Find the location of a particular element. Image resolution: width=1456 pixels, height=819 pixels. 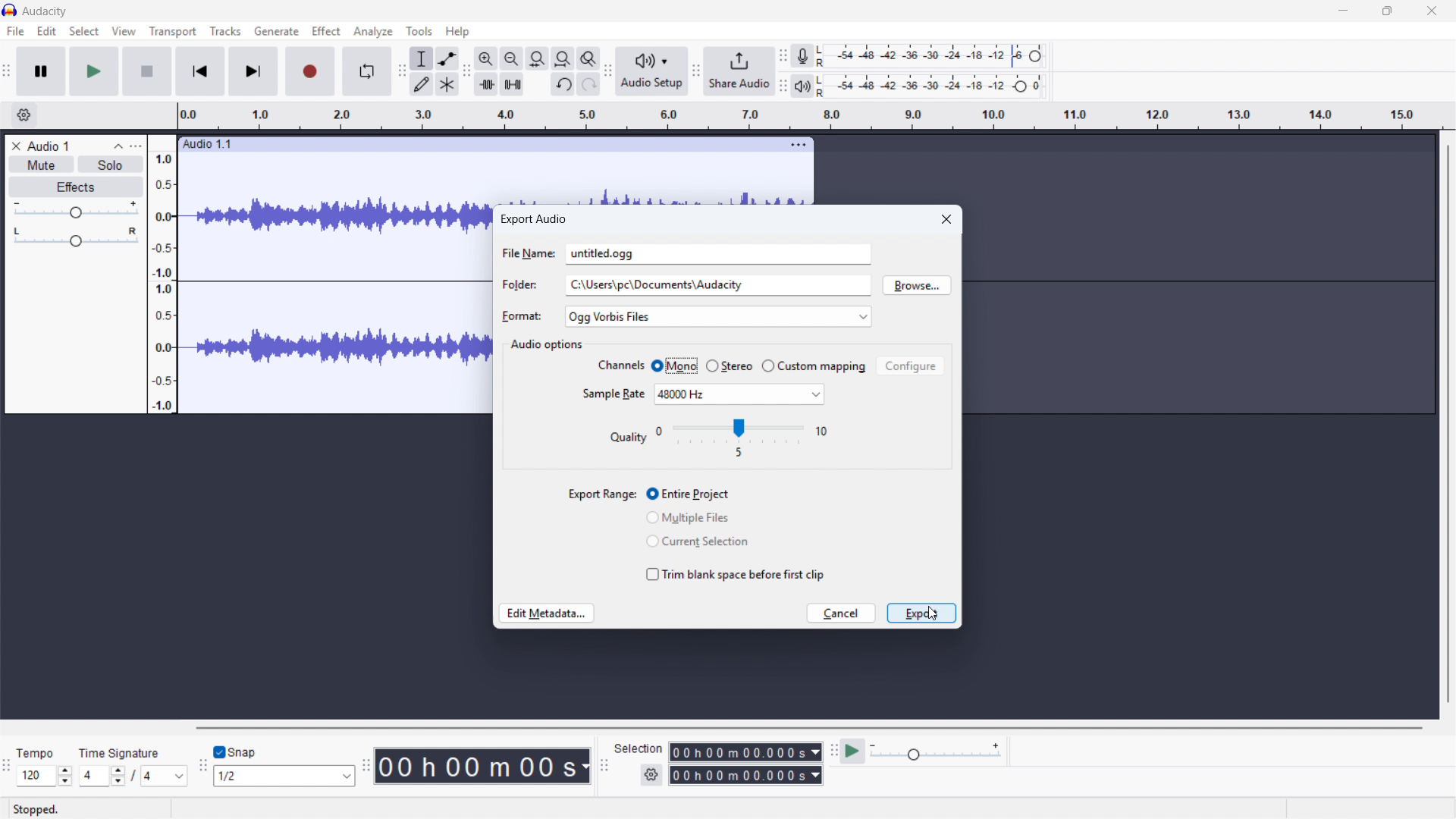

Tools toolbar  is located at coordinates (401, 71).